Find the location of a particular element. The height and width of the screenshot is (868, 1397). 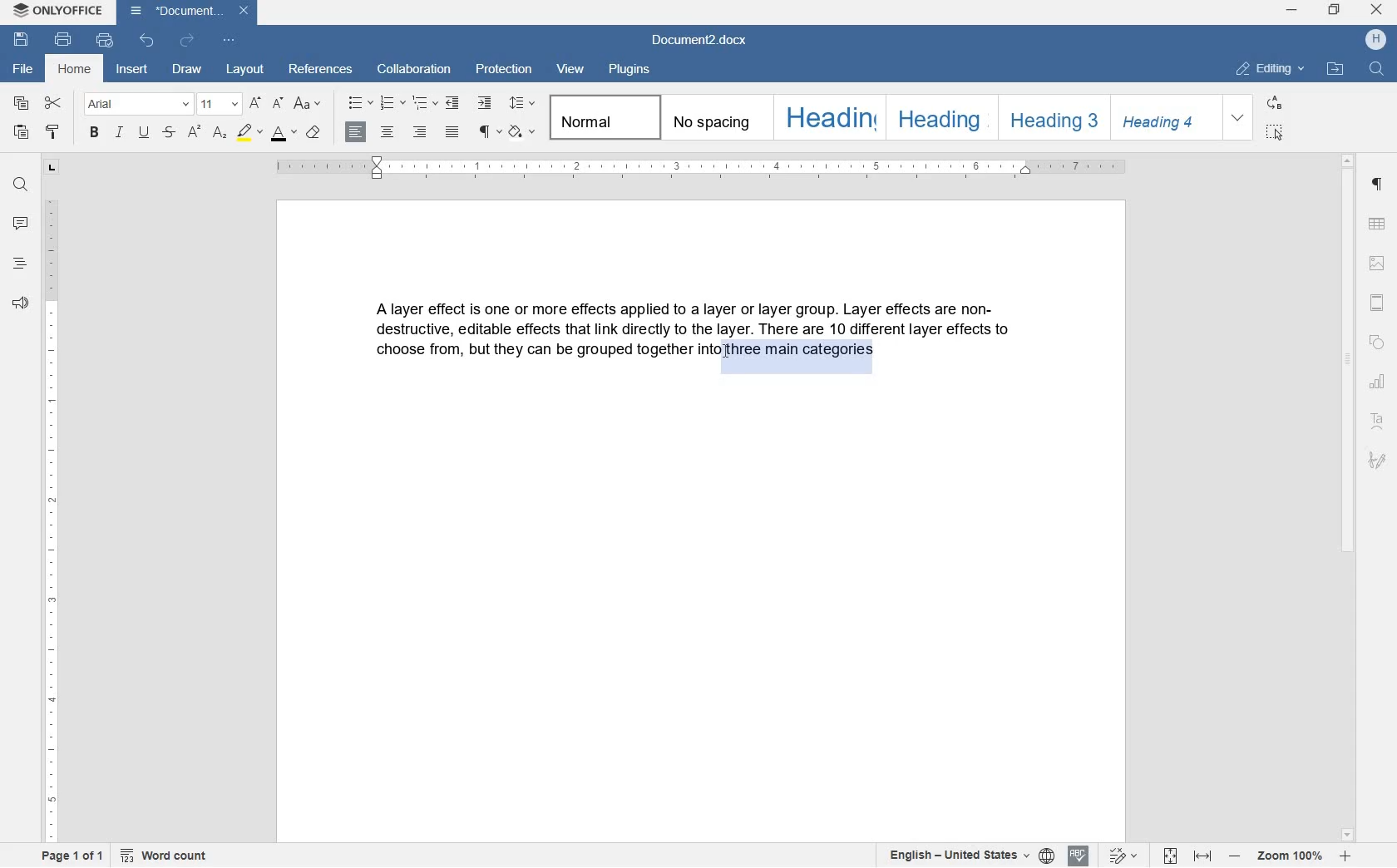

references is located at coordinates (323, 71).